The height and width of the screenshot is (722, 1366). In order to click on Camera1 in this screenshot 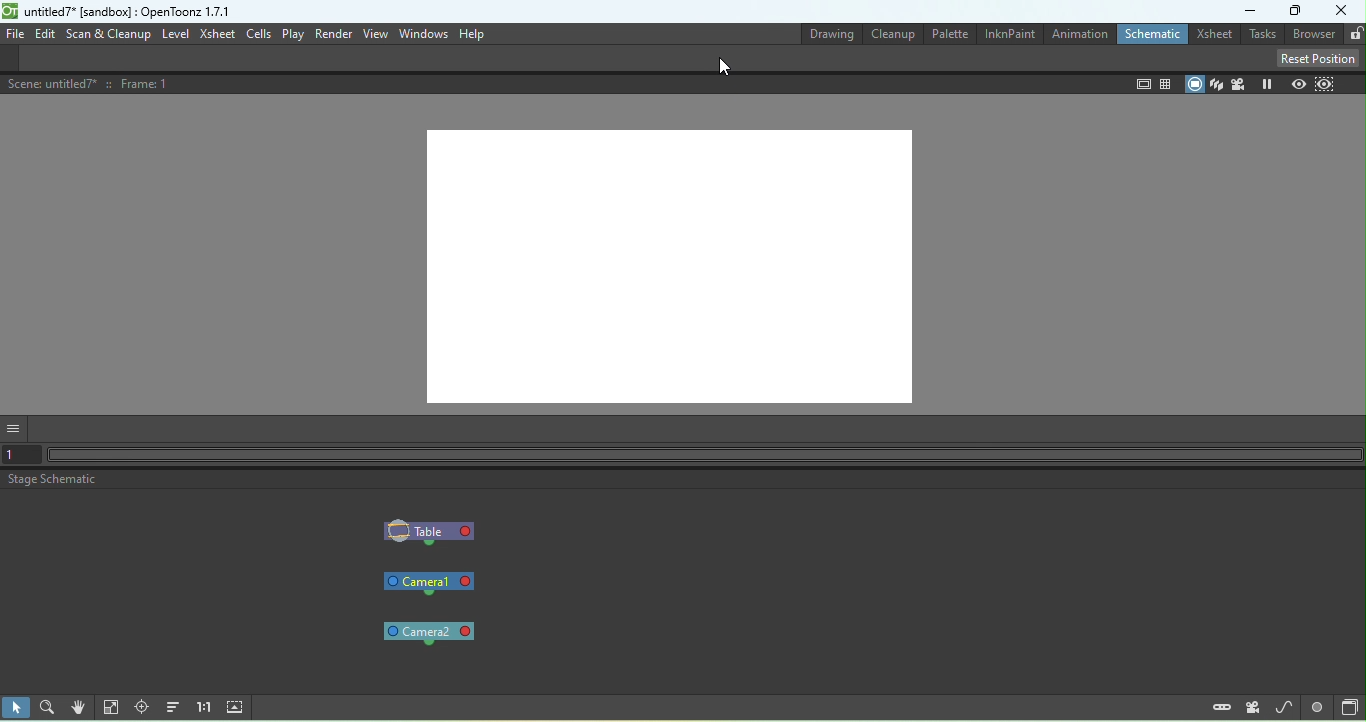, I will do `click(432, 582)`.